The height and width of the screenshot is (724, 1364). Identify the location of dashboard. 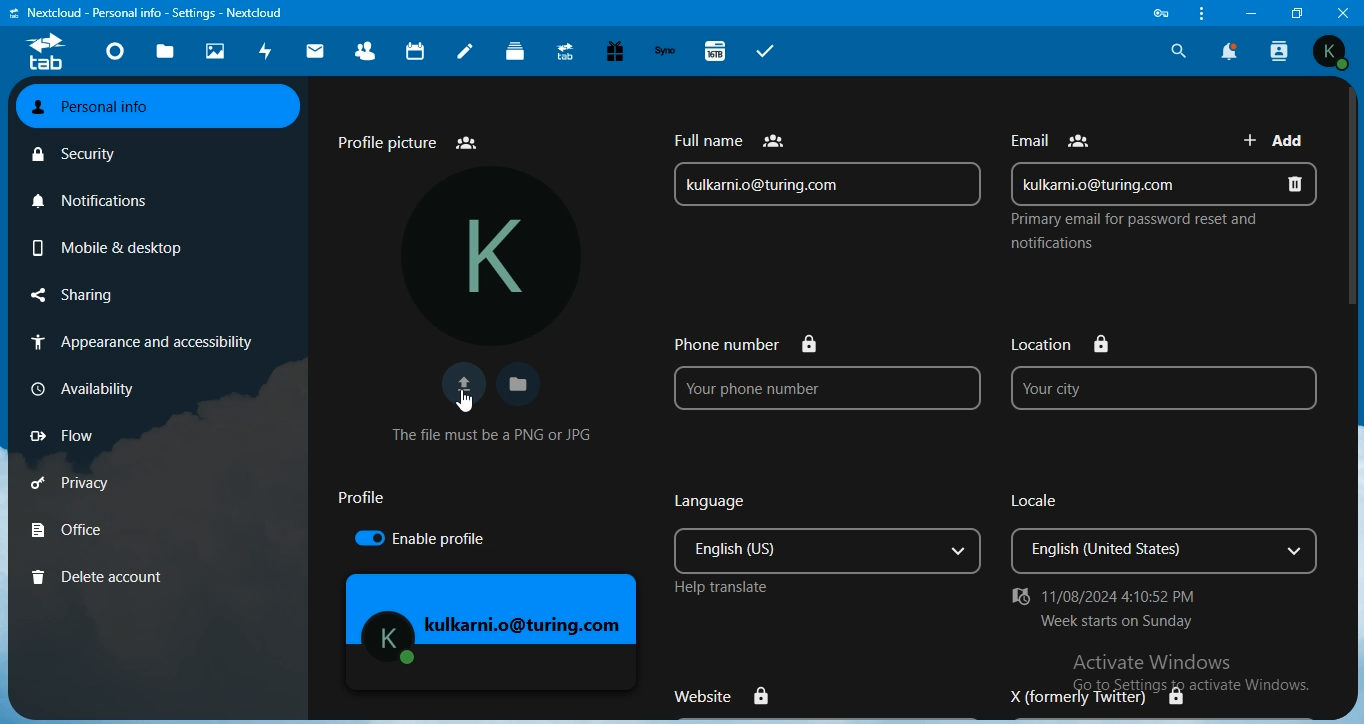
(113, 53).